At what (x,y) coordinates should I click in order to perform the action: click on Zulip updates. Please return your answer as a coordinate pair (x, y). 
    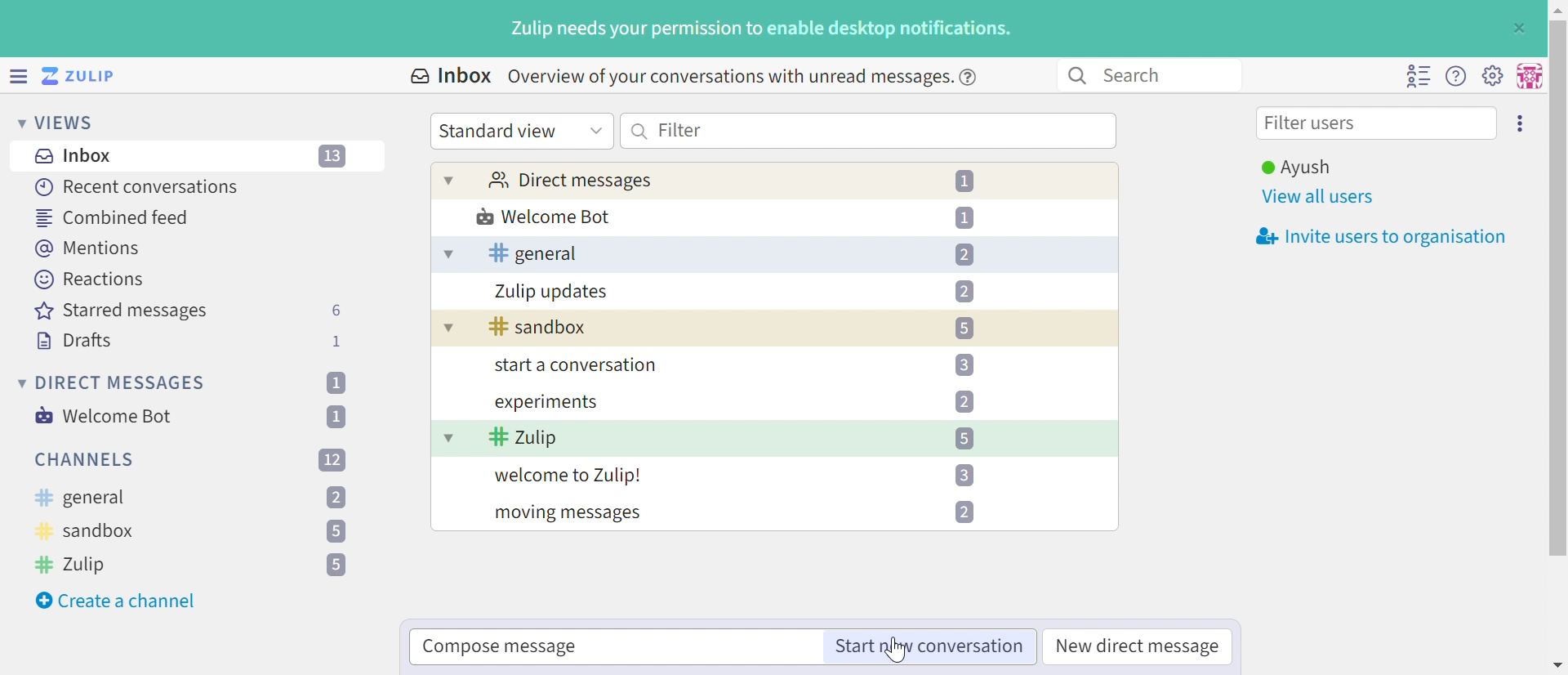
    Looking at the image, I should click on (552, 292).